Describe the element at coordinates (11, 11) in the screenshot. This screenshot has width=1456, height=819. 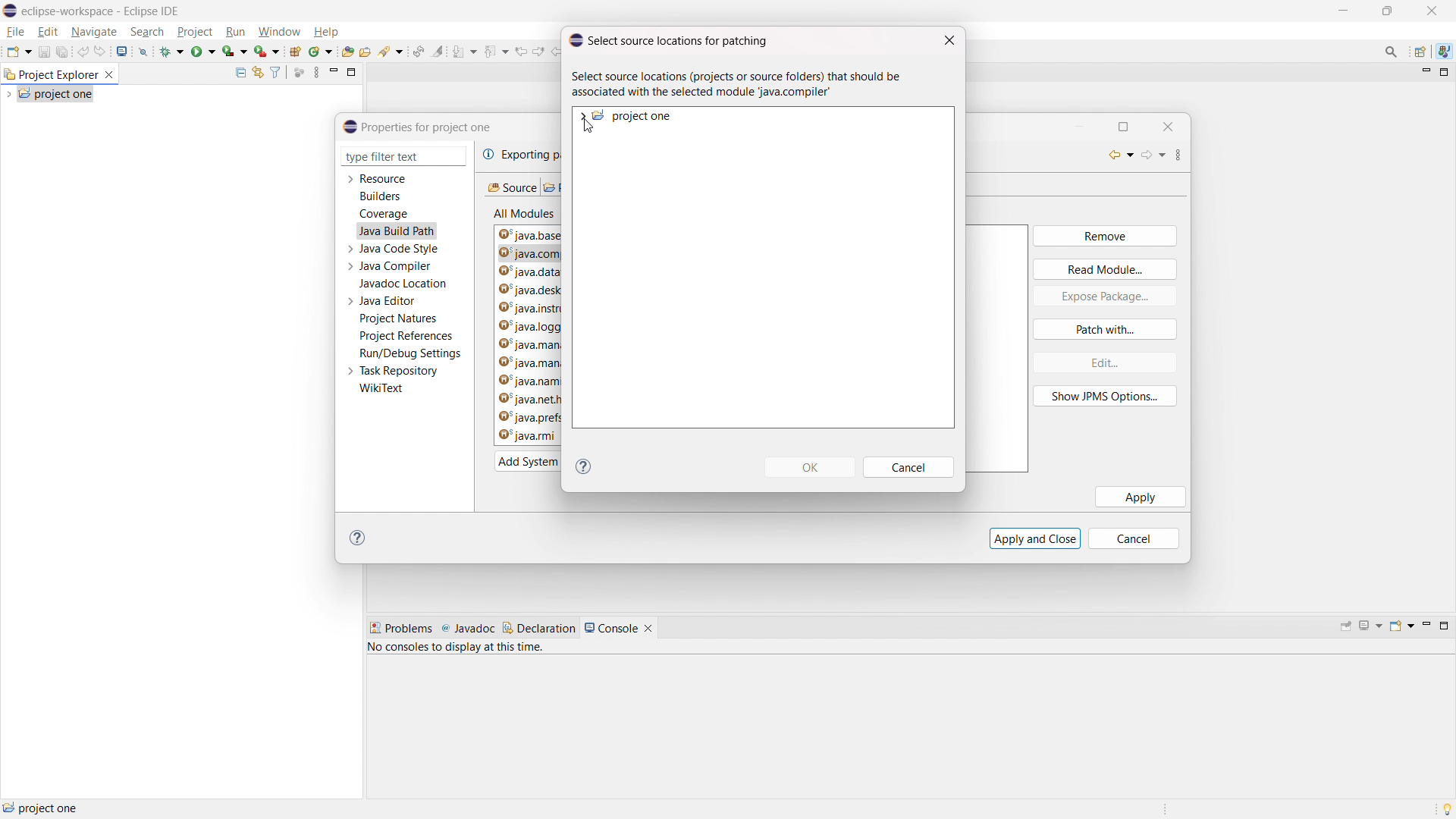
I see `logo` at that location.